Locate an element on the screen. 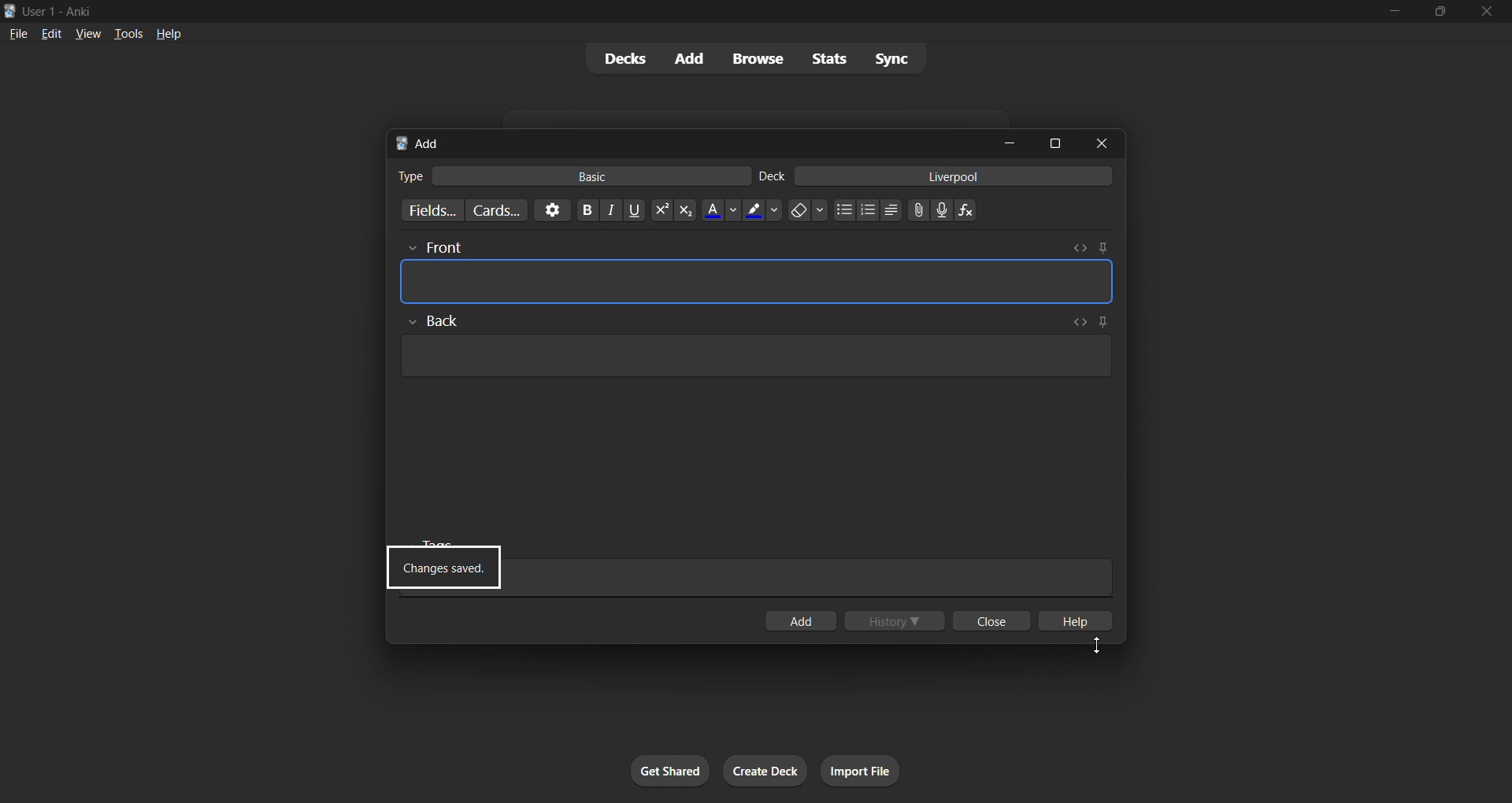  tools is located at coordinates (126, 35).